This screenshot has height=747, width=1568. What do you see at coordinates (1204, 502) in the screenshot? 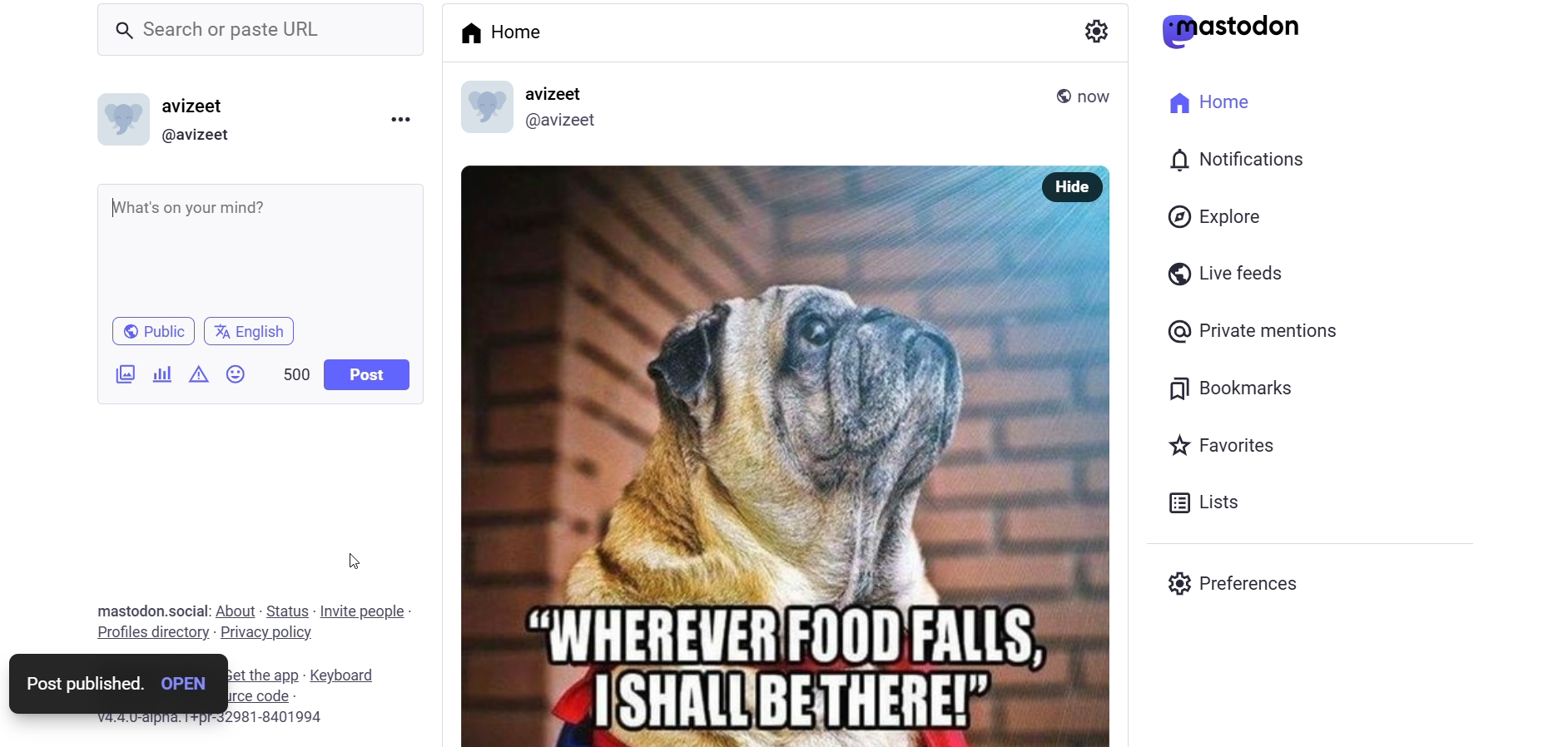
I see `list` at bounding box center [1204, 502].